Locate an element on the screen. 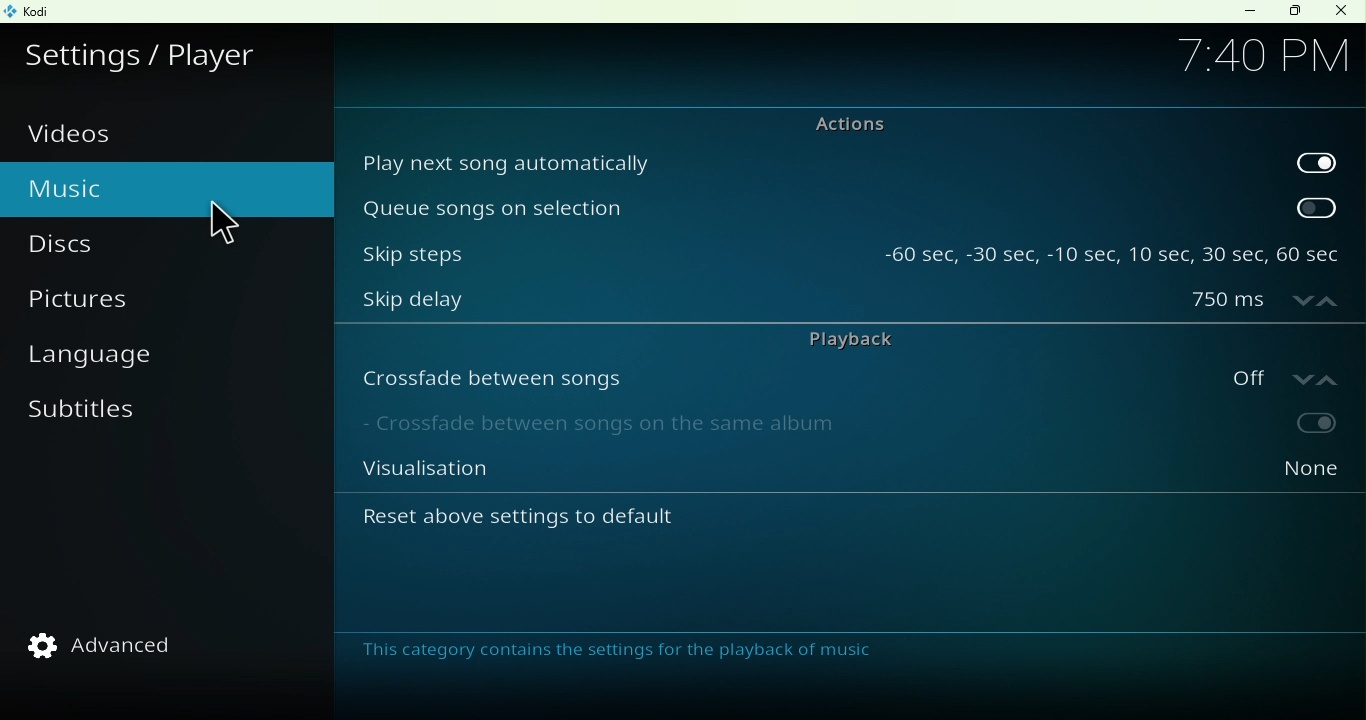  Crossfade between songs is located at coordinates (765, 377).